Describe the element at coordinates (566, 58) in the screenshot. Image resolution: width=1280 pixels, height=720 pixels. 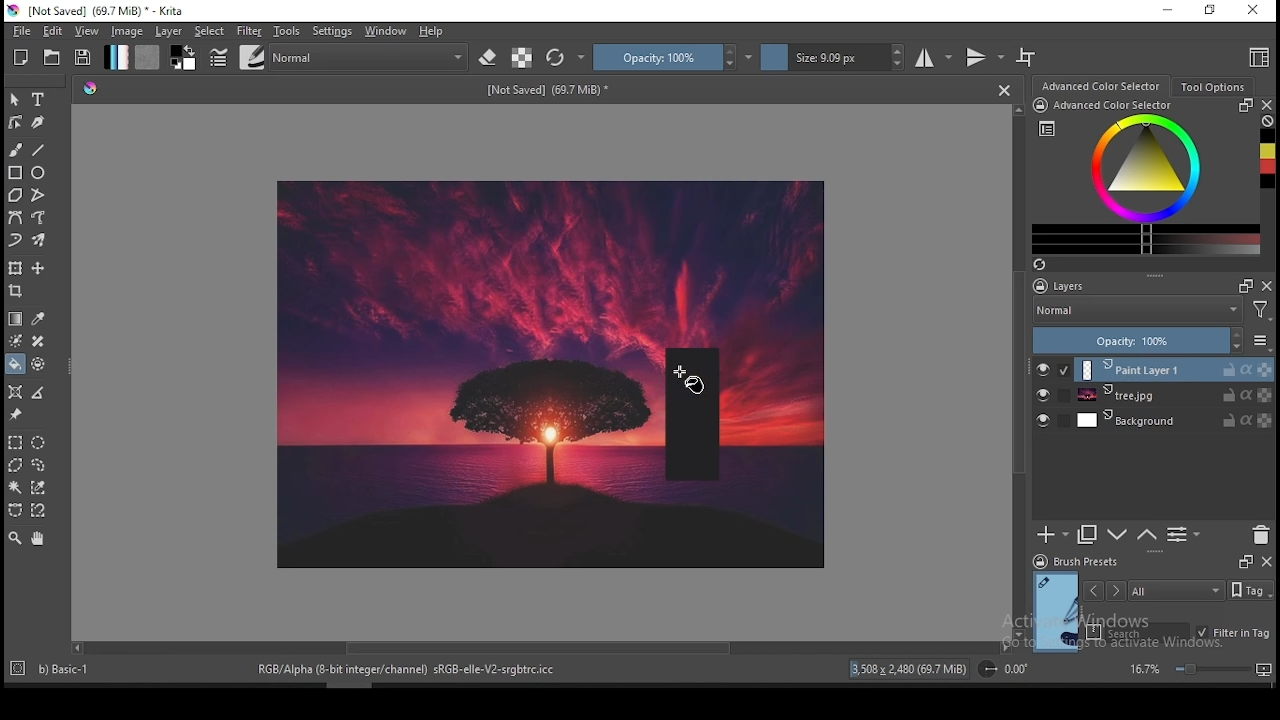
I see `reload original preset` at that location.